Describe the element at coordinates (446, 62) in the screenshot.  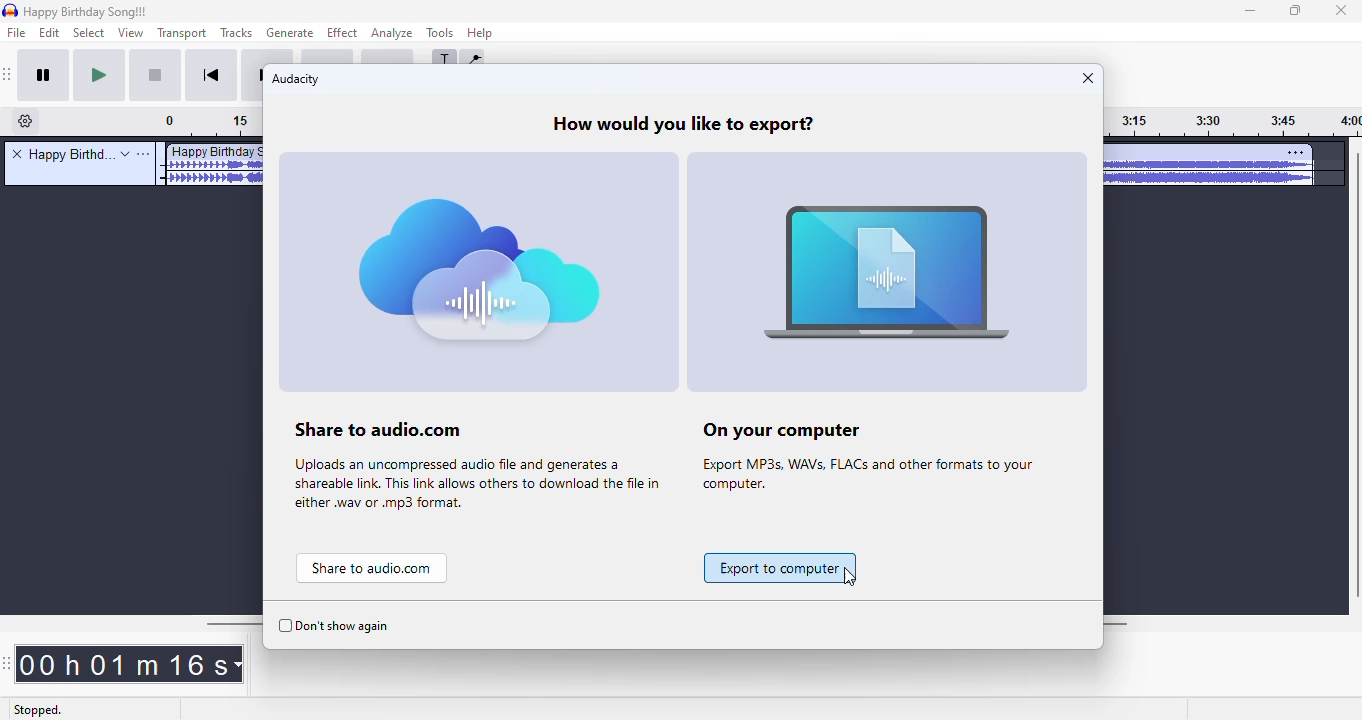
I see `selection tool` at that location.